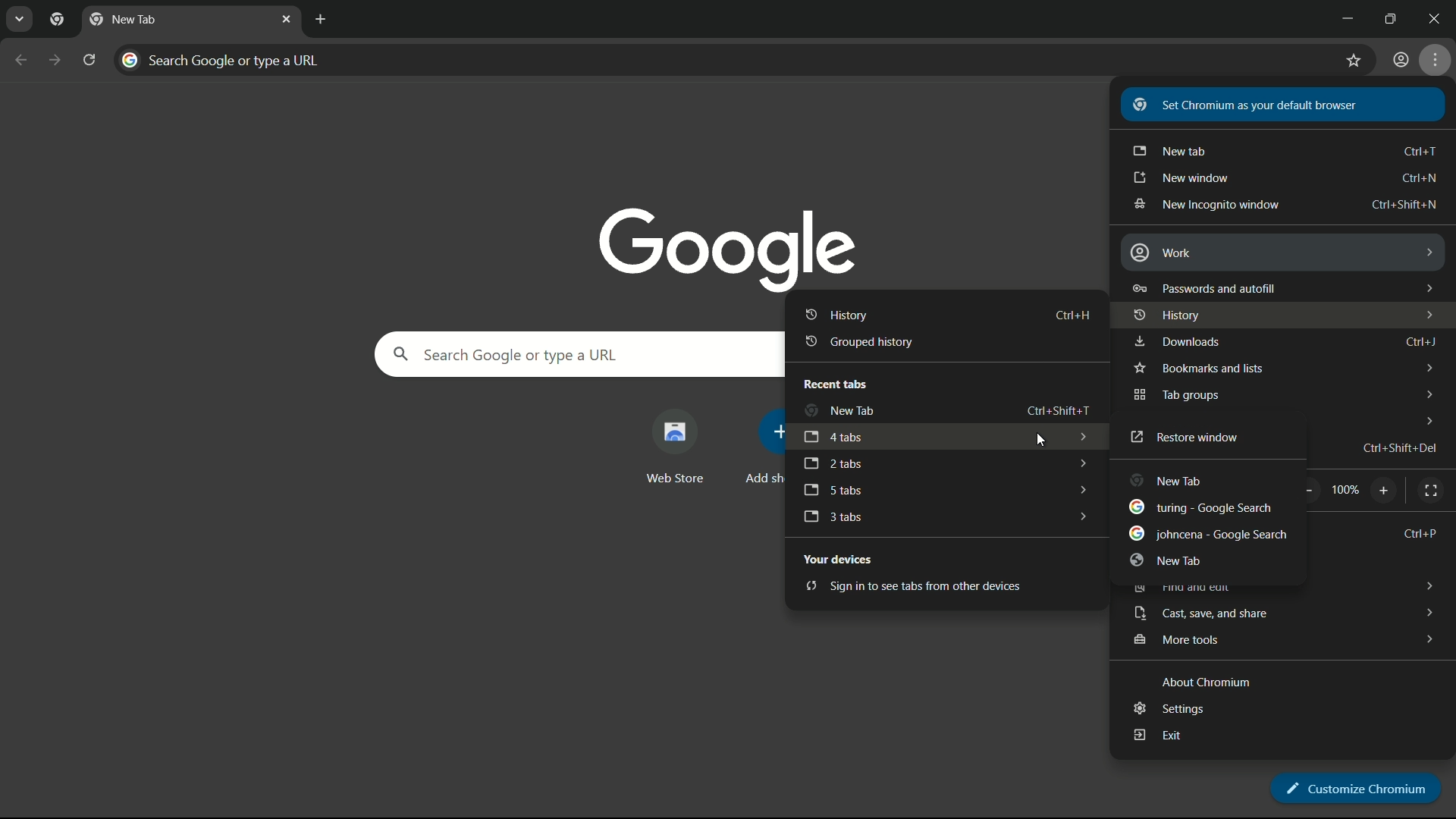  I want to click on set chromium as your default browser, so click(1257, 105).